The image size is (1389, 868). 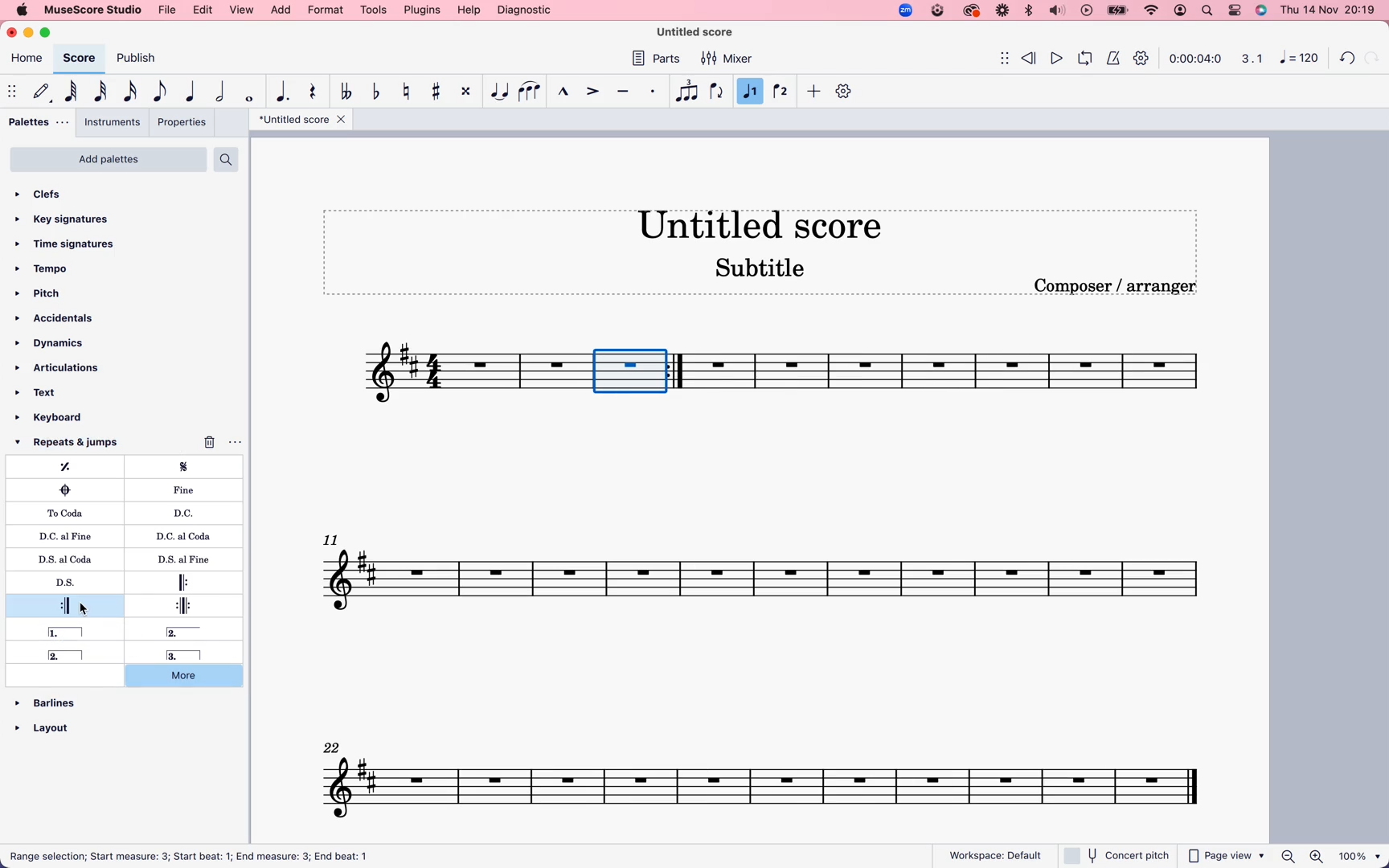 I want to click on time, so click(x=1196, y=59).